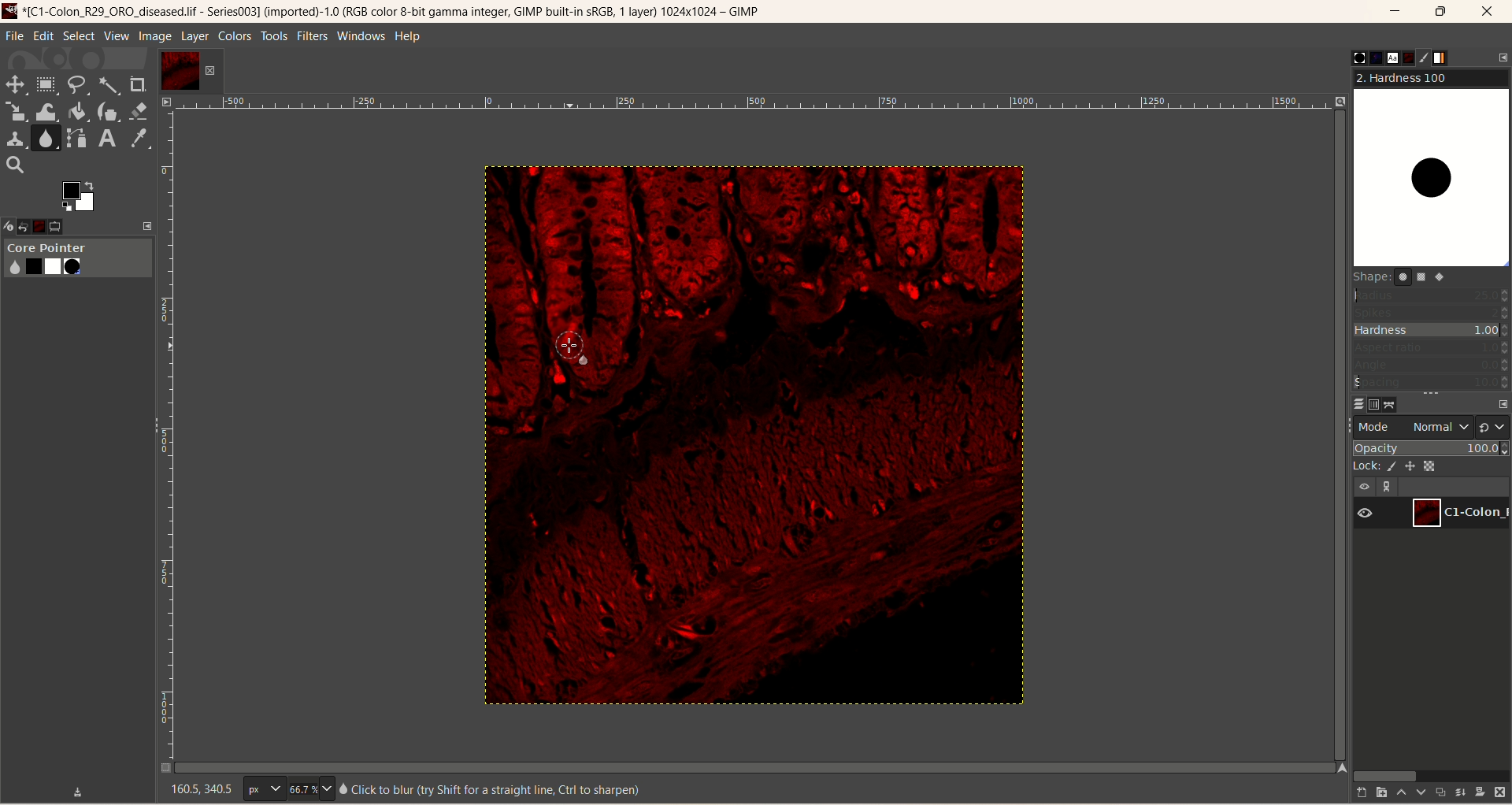 This screenshot has width=1512, height=805. Describe the element at coordinates (155, 37) in the screenshot. I see `image` at that location.